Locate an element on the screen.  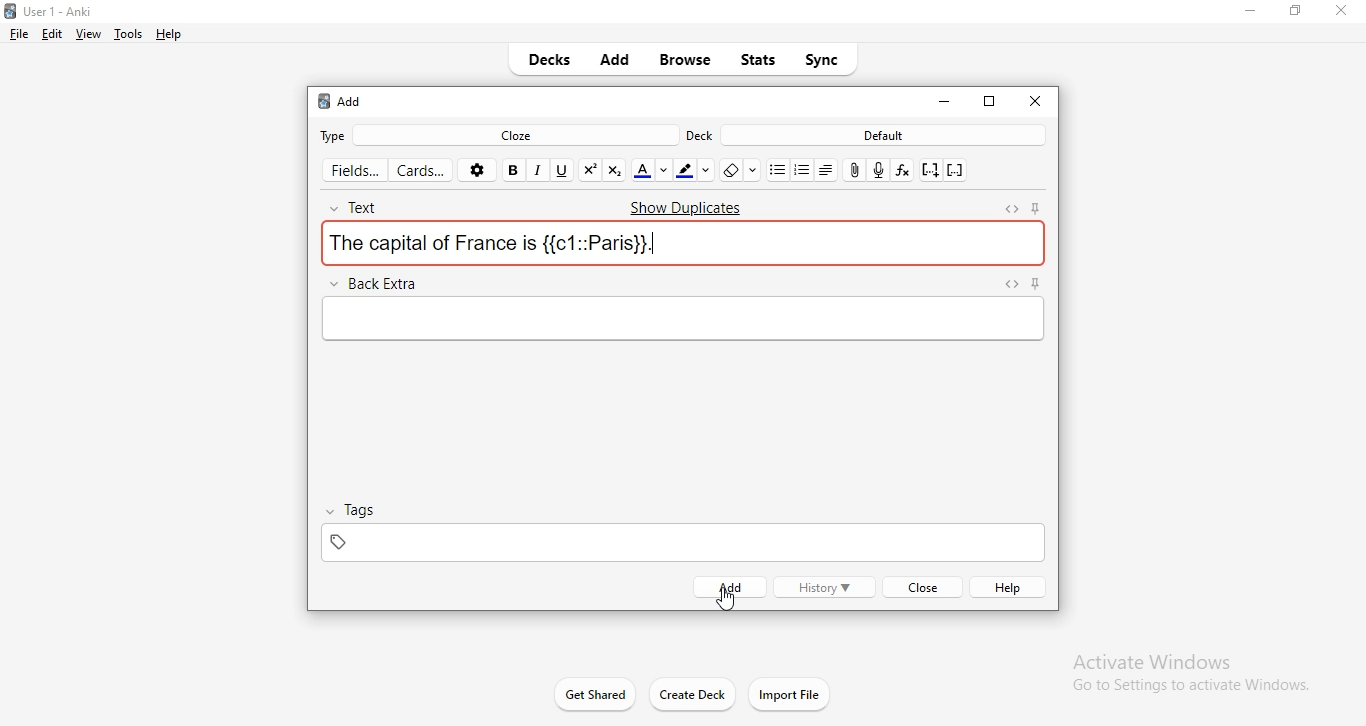
tags is located at coordinates (359, 509).